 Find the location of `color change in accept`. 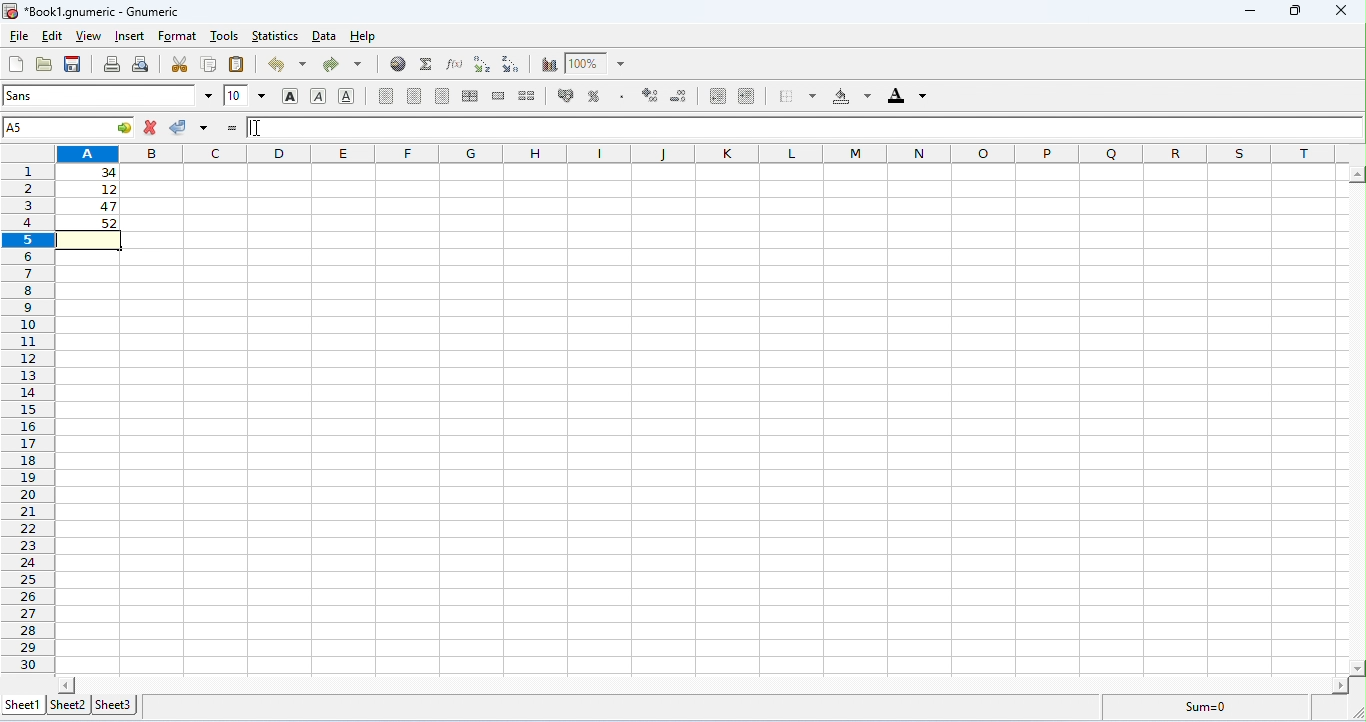

color change in accept is located at coordinates (188, 127).